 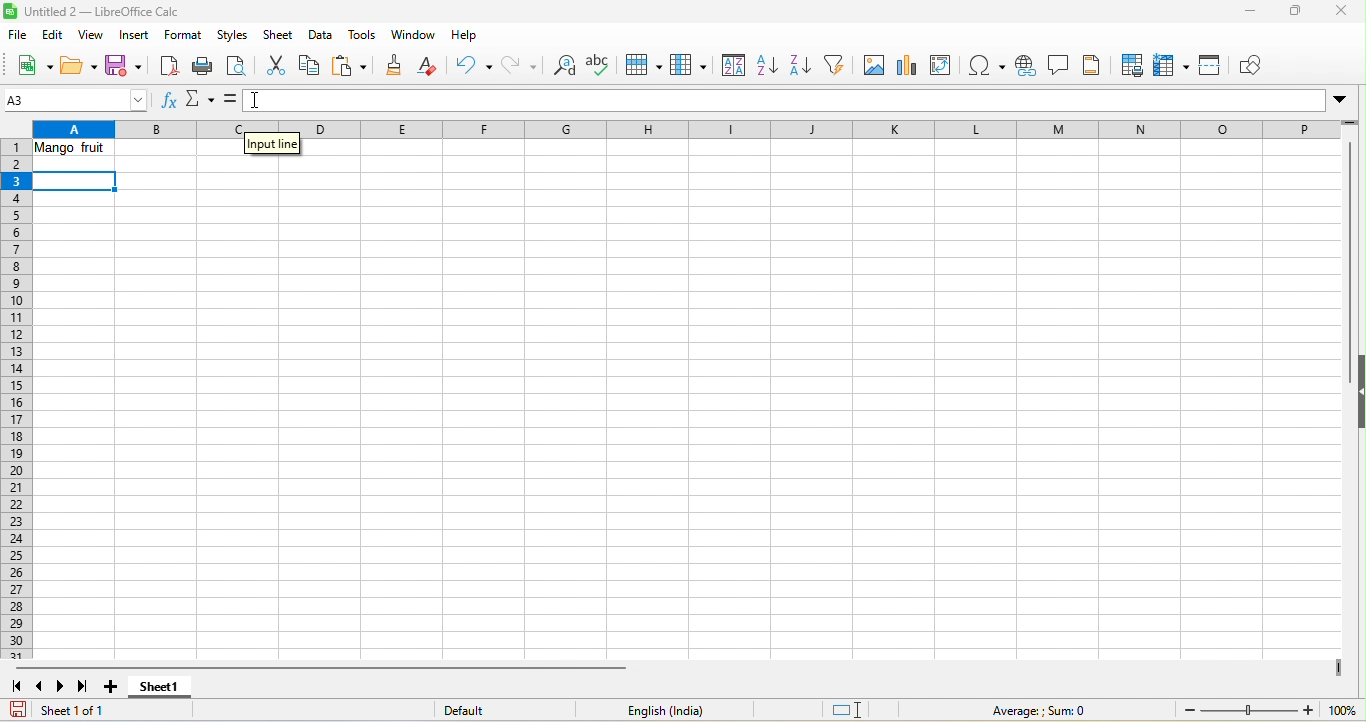 What do you see at coordinates (1248, 13) in the screenshot?
I see `minimize` at bounding box center [1248, 13].